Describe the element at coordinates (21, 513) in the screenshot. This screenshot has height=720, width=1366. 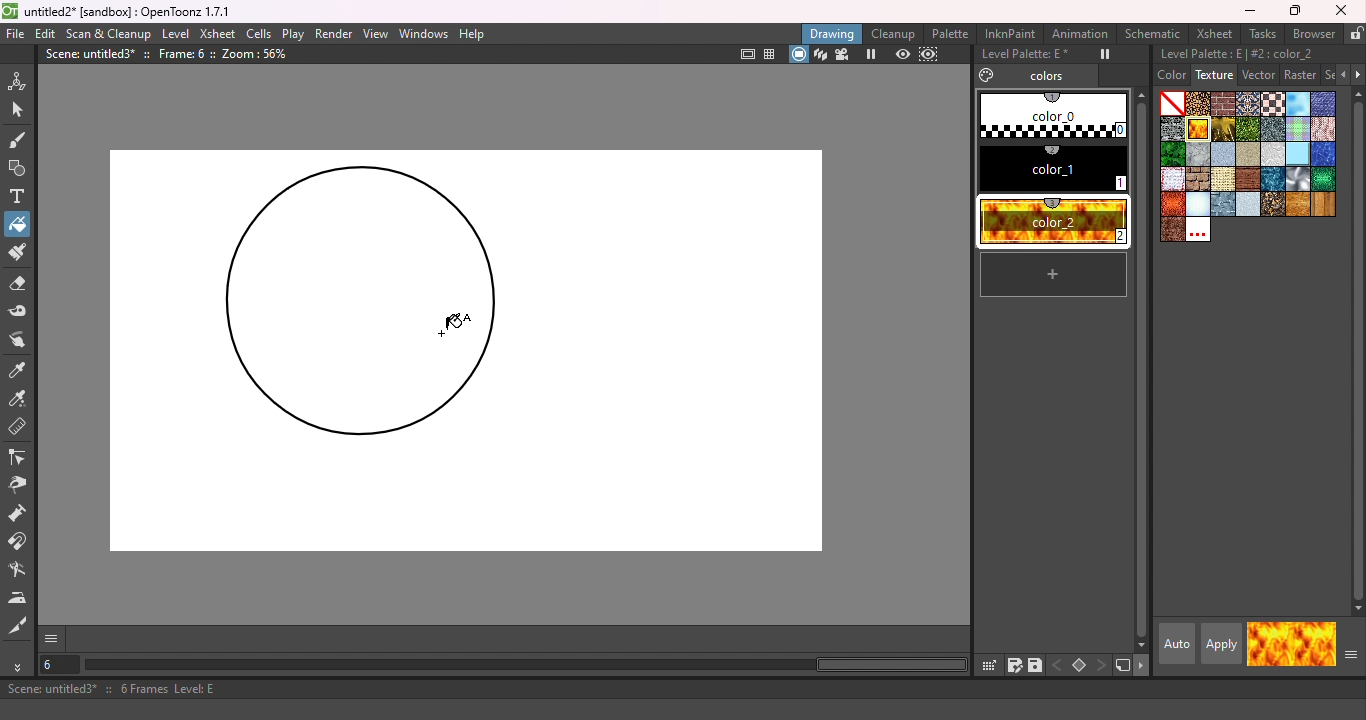
I see `Pump tool` at that location.